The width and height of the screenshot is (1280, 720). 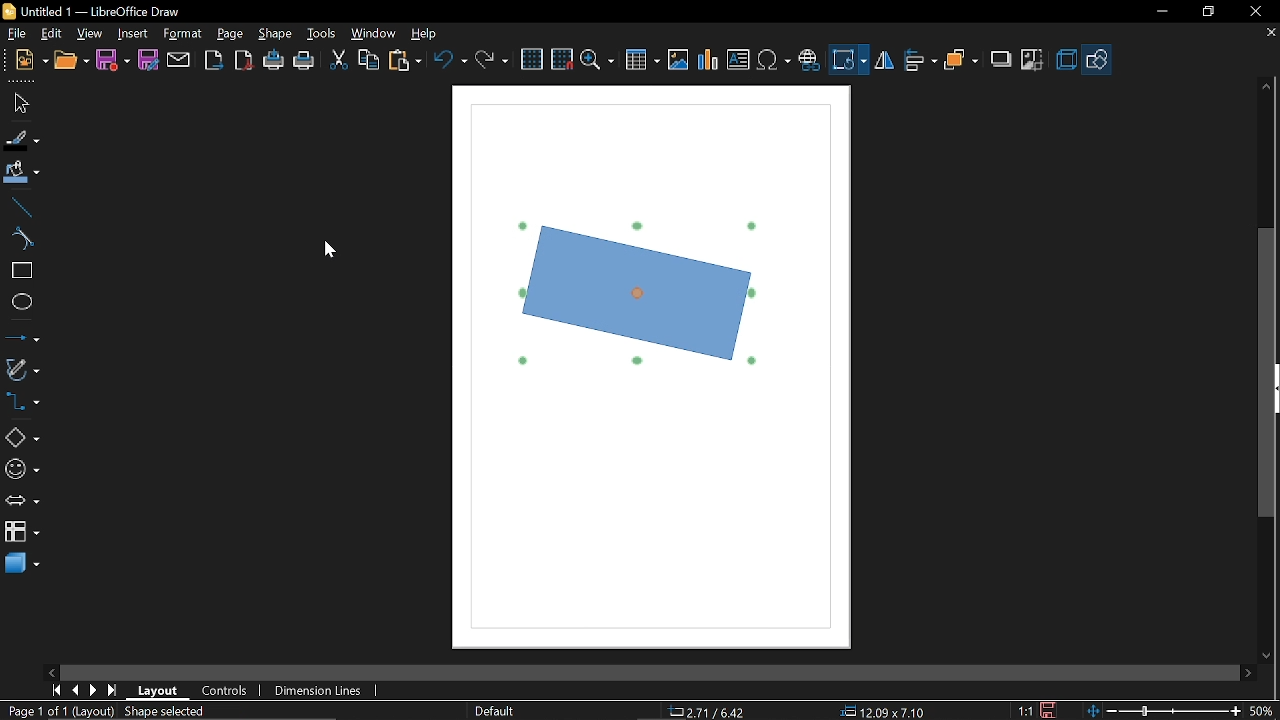 I want to click on shape, so click(x=276, y=35).